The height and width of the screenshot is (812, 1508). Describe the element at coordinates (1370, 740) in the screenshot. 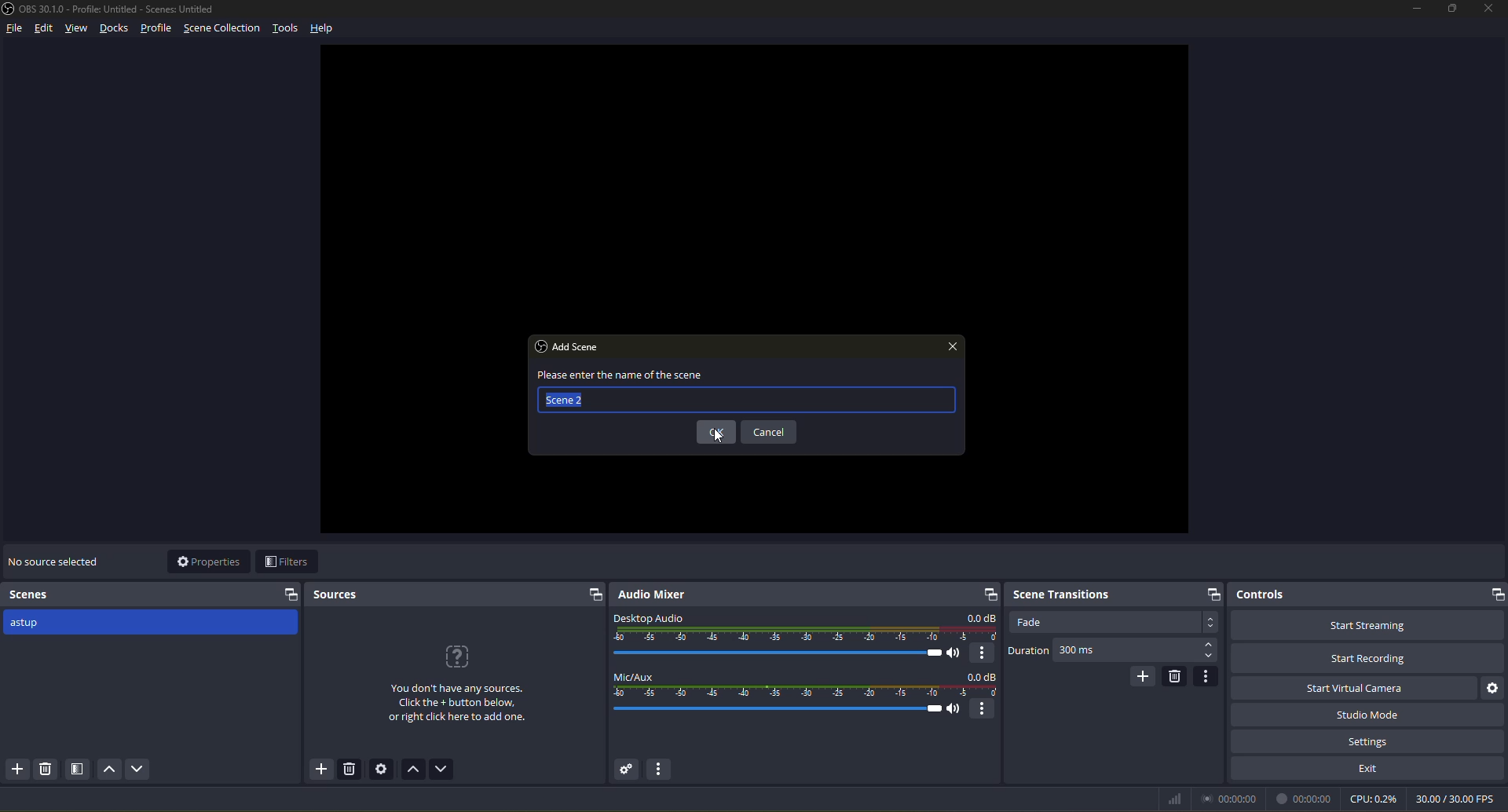

I see `settings` at that location.